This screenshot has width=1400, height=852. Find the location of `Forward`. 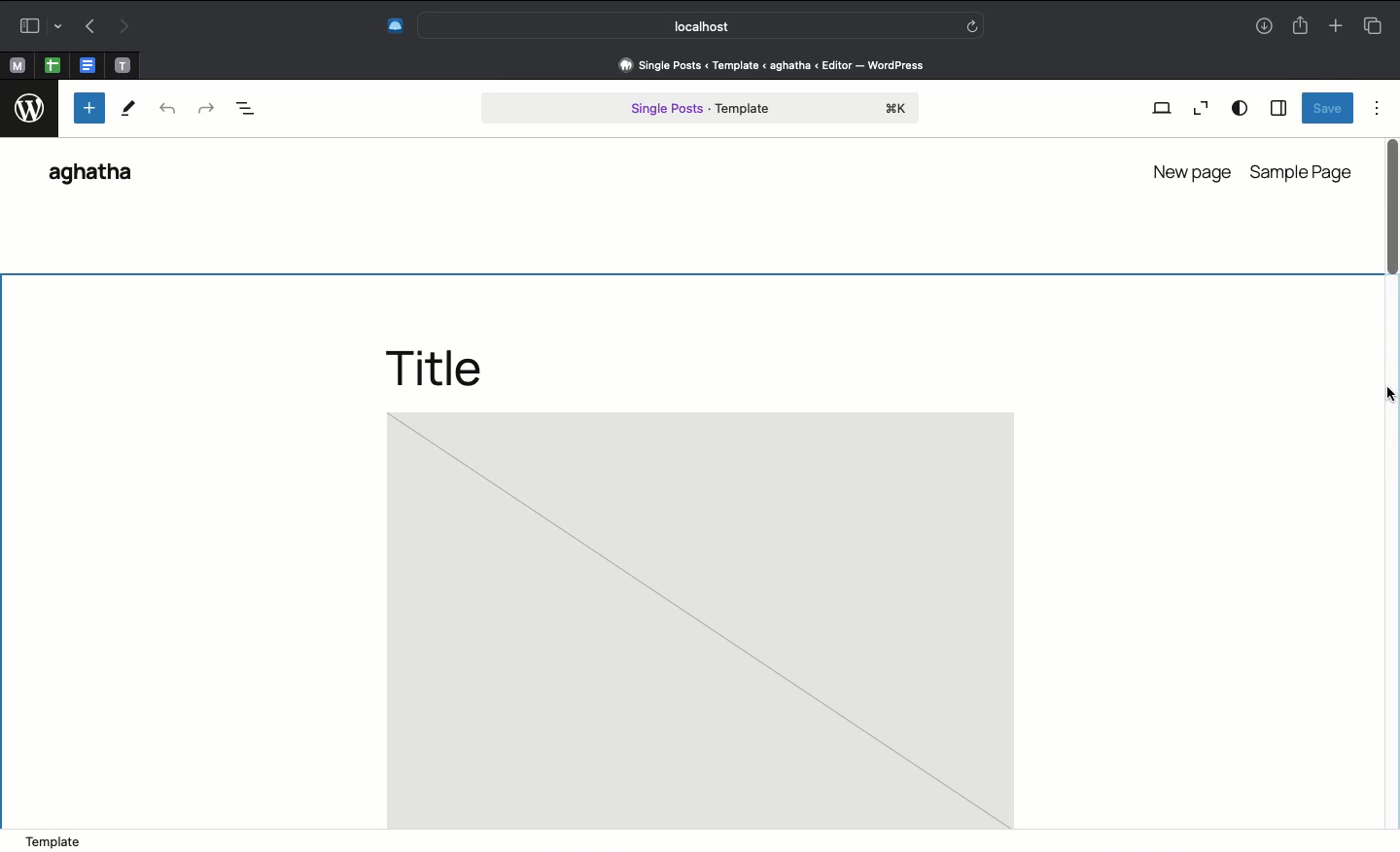

Forward is located at coordinates (125, 27).